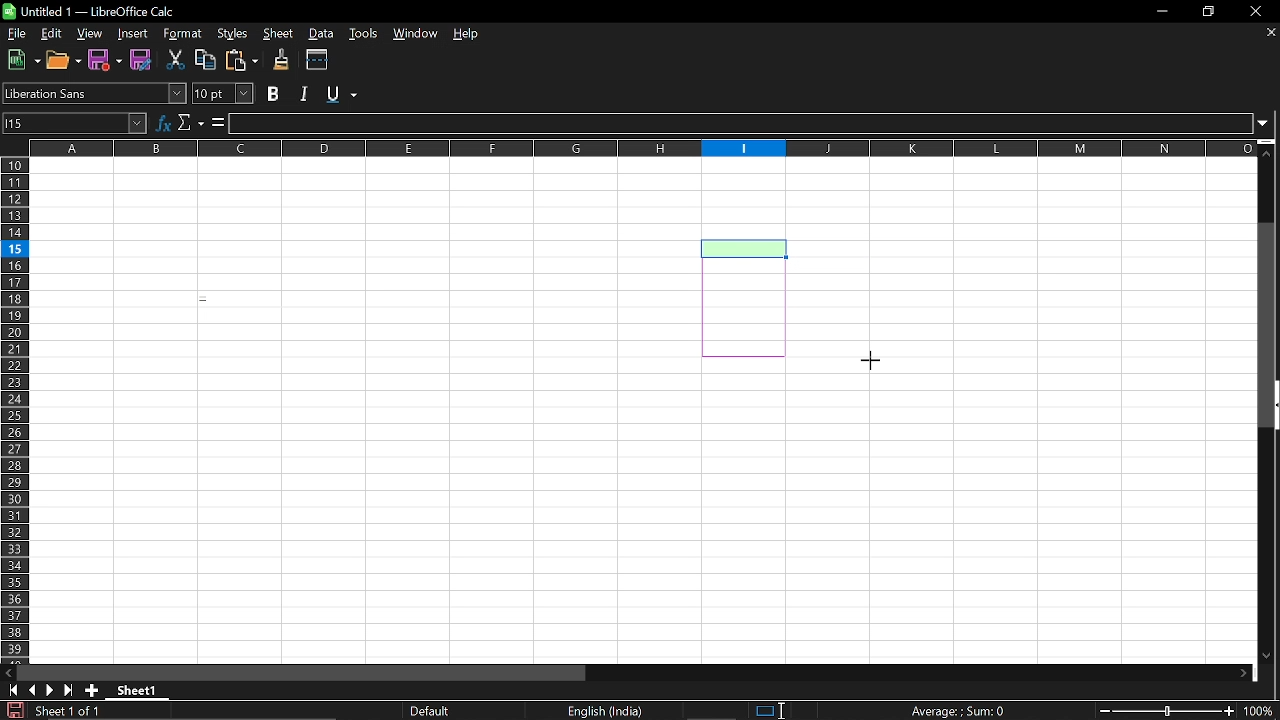 Image resolution: width=1280 pixels, height=720 pixels. Describe the element at coordinates (1269, 327) in the screenshot. I see `Vertical scrollbar` at that location.